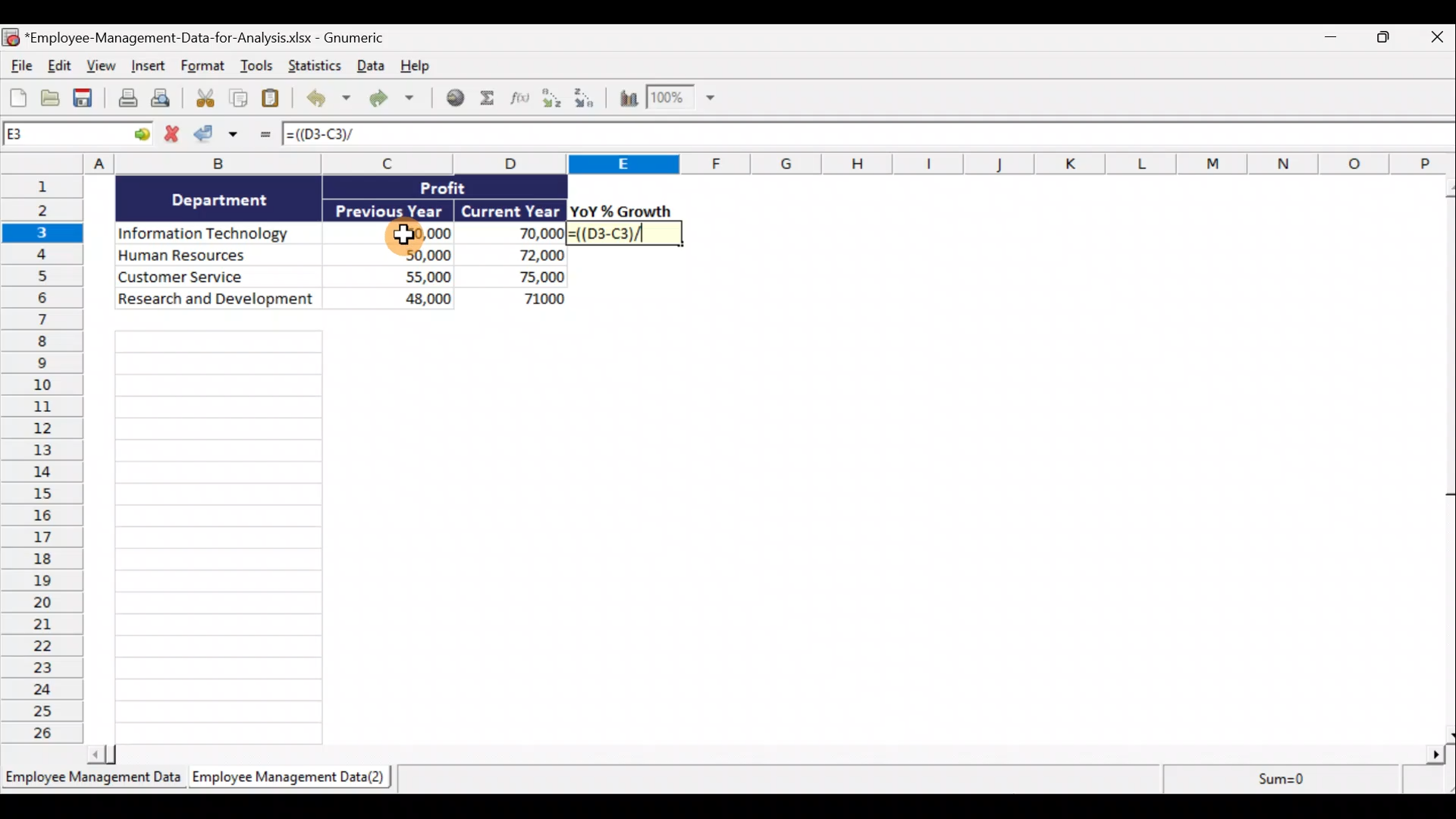 Image resolution: width=1456 pixels, height=819 pixels. Describe the element at coordinates (220, 537) in the screenshot. I see `Cells` at that location.